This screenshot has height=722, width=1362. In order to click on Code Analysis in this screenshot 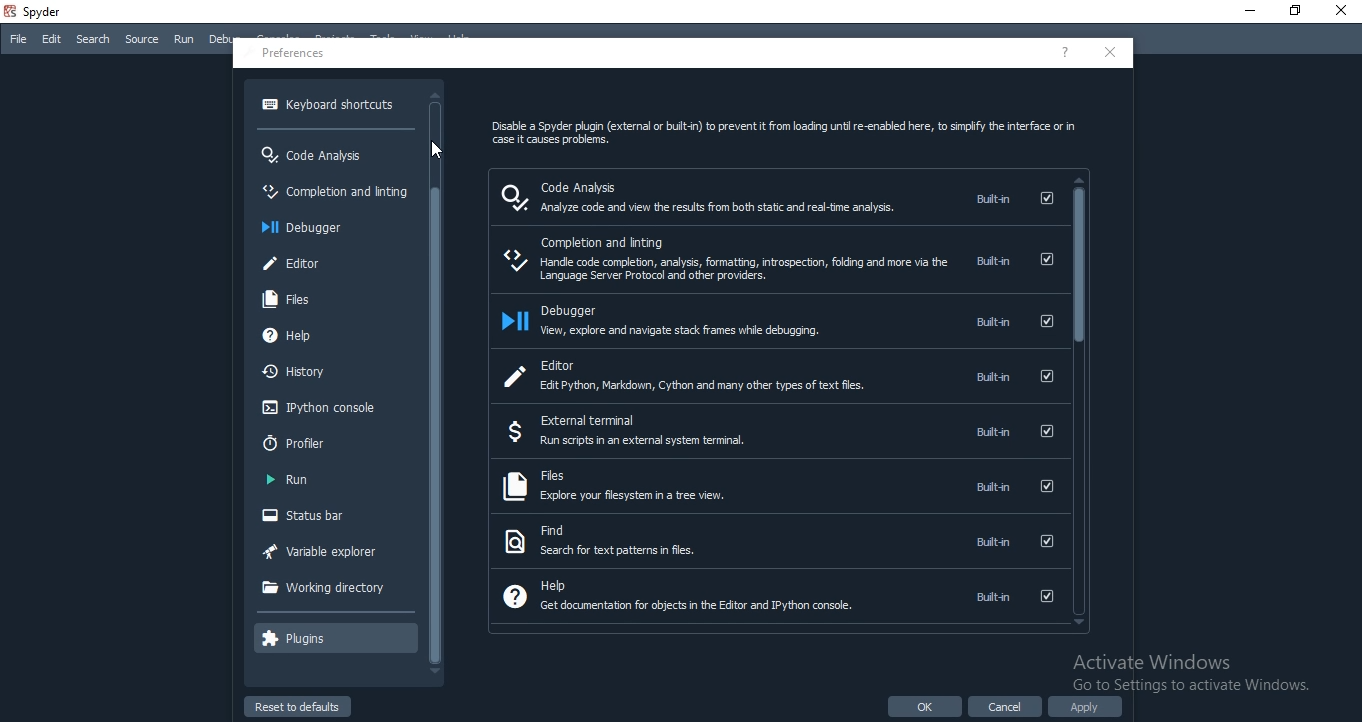, I will do `click(597, 184)`.